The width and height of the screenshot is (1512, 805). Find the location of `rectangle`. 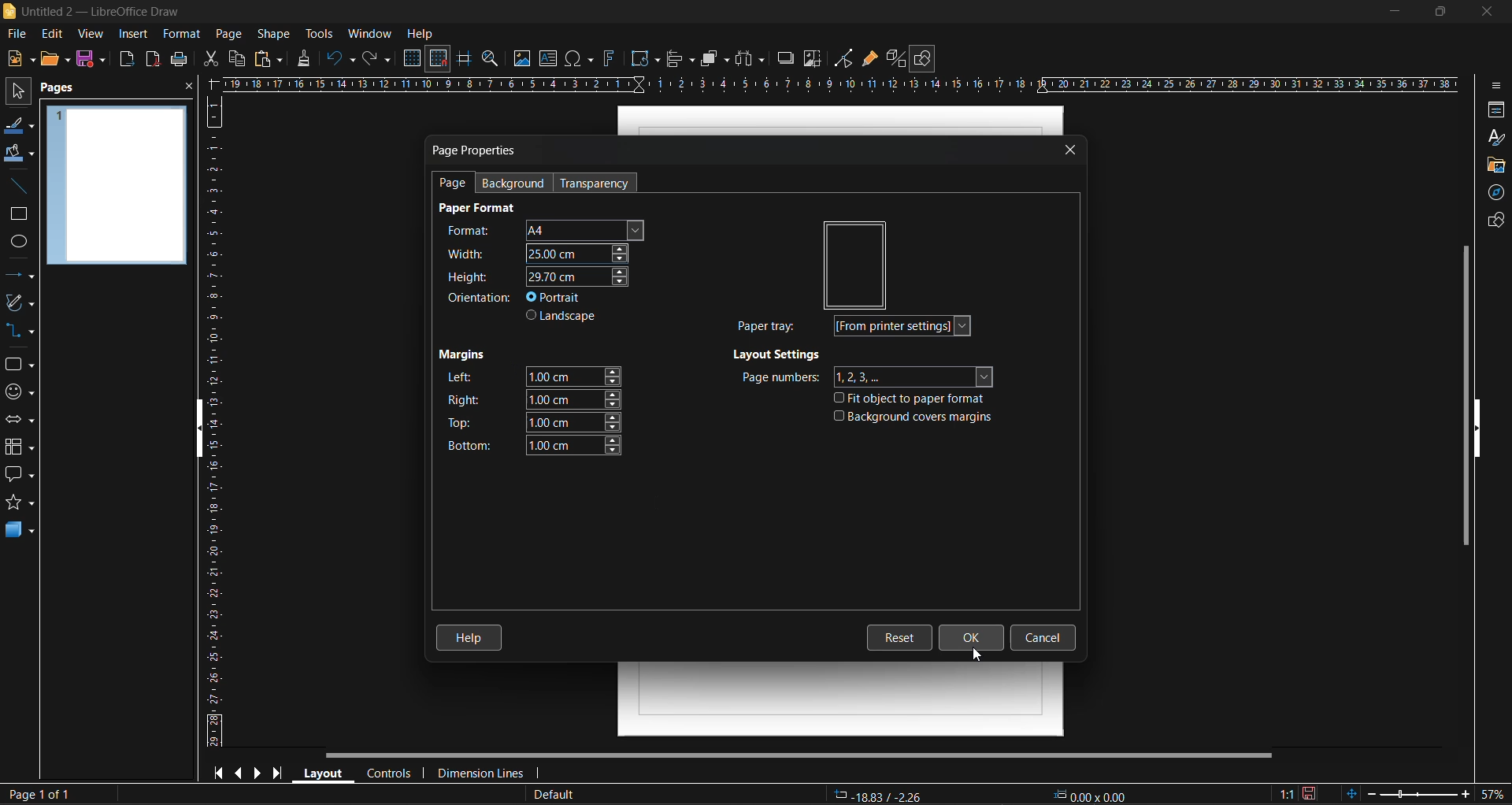

rectangle is located at coordinates (18, 216).